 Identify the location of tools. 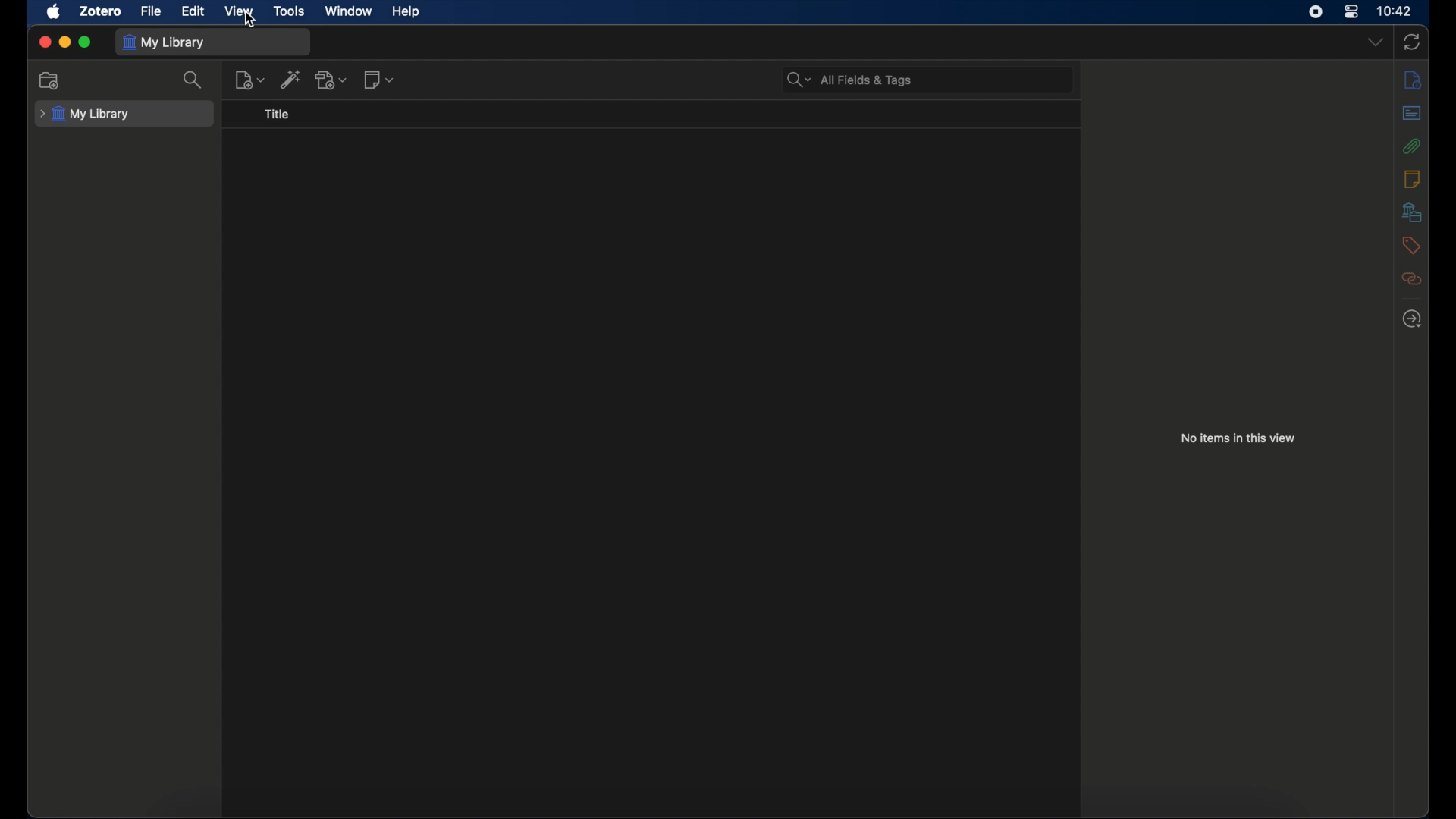
(290, 11).